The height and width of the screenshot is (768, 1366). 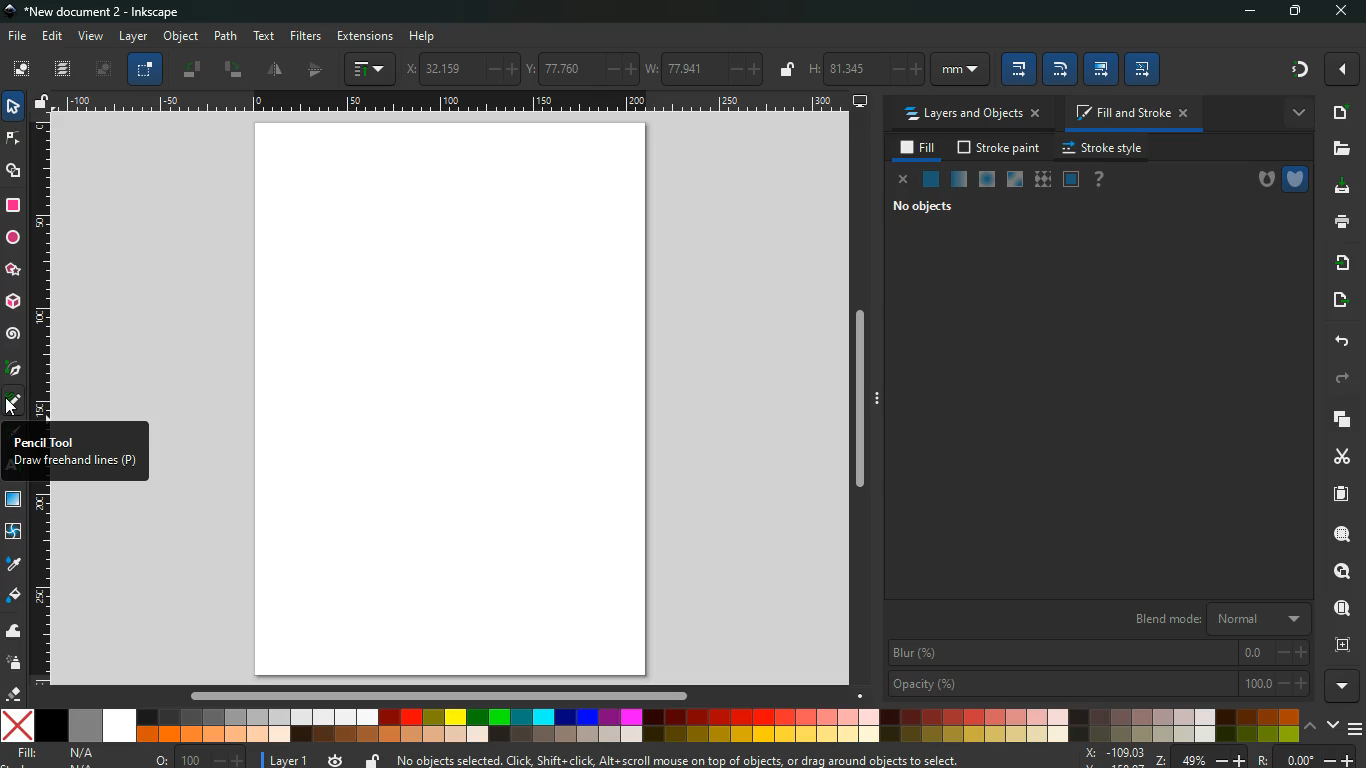 I want to click on fill, so click(x=58, y=754).